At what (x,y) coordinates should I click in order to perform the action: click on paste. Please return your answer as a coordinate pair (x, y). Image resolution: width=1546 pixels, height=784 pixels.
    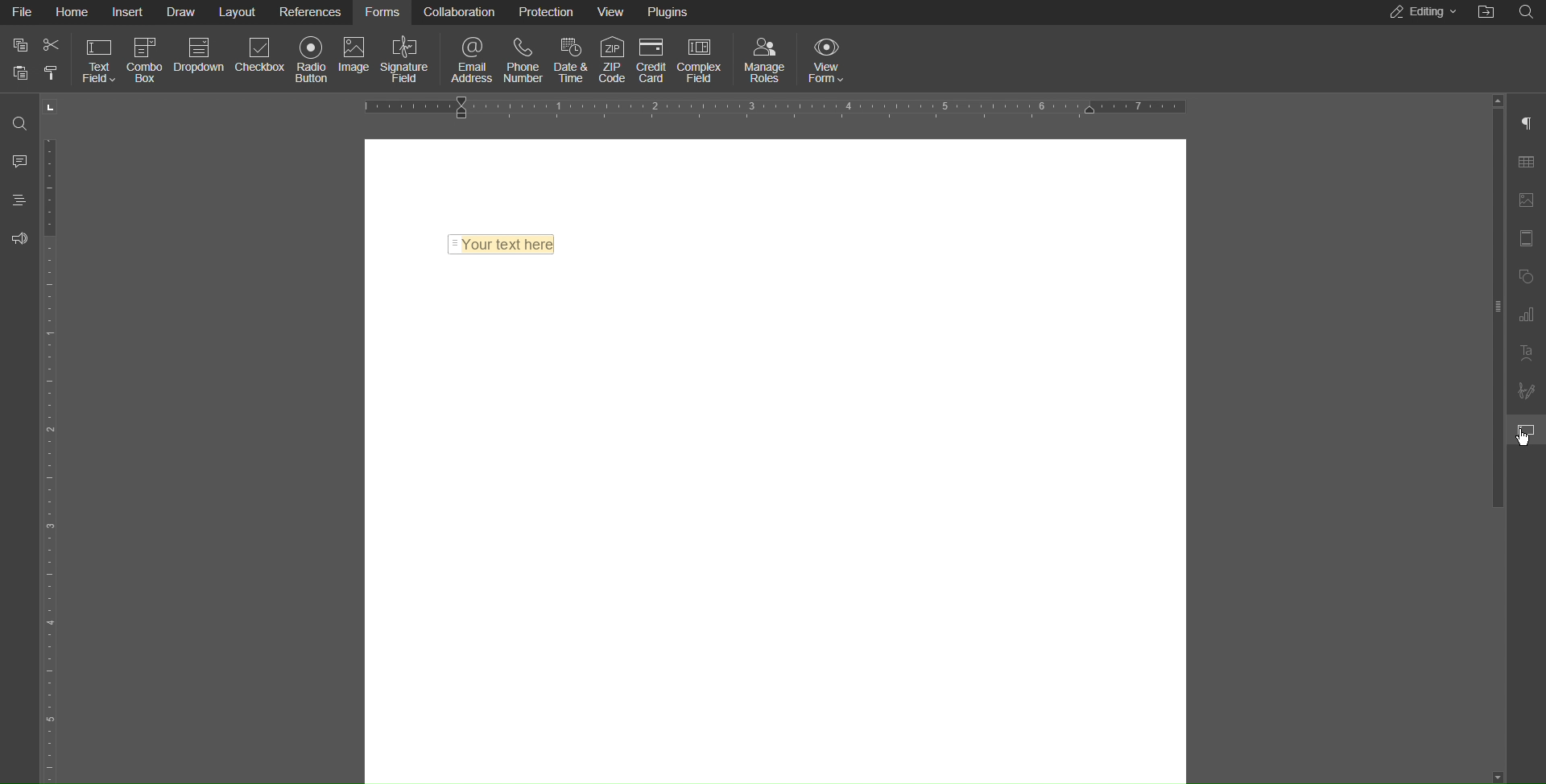
    Looking at the image, I should click on (51, 74).